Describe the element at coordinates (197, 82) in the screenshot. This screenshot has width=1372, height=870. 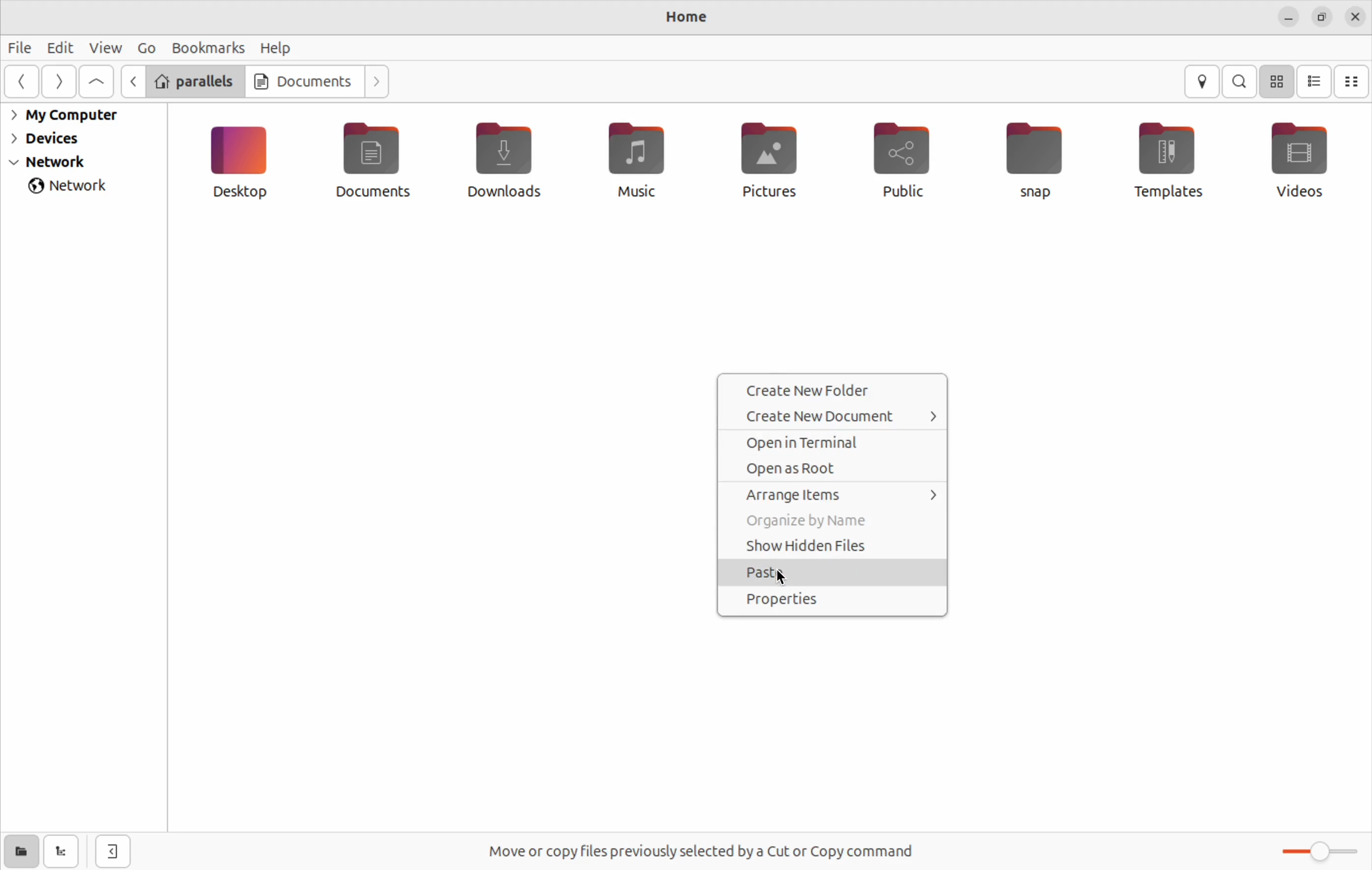
I see `parallels` at that location.